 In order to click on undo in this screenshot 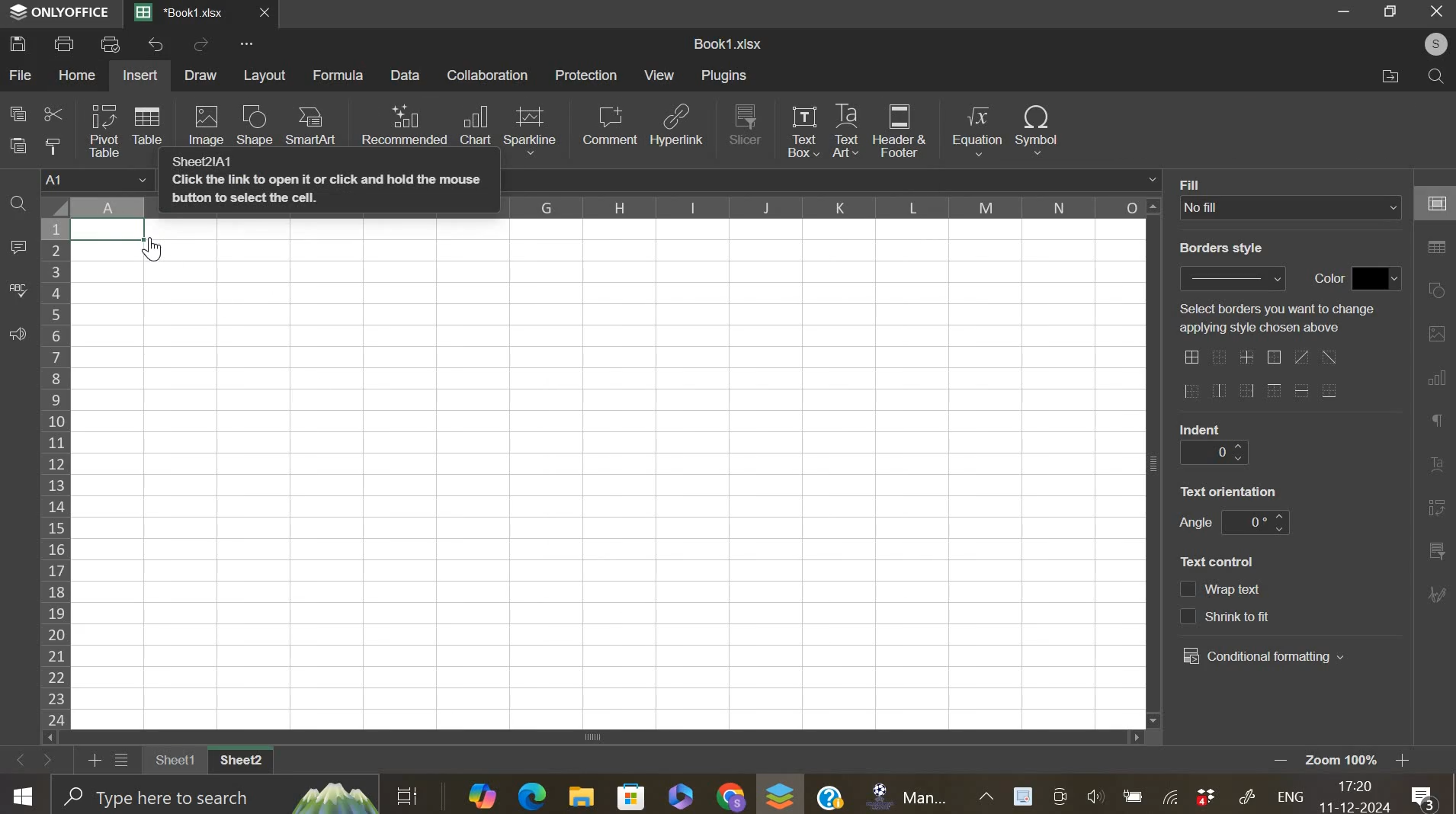, I will do `click(158, 44)`.